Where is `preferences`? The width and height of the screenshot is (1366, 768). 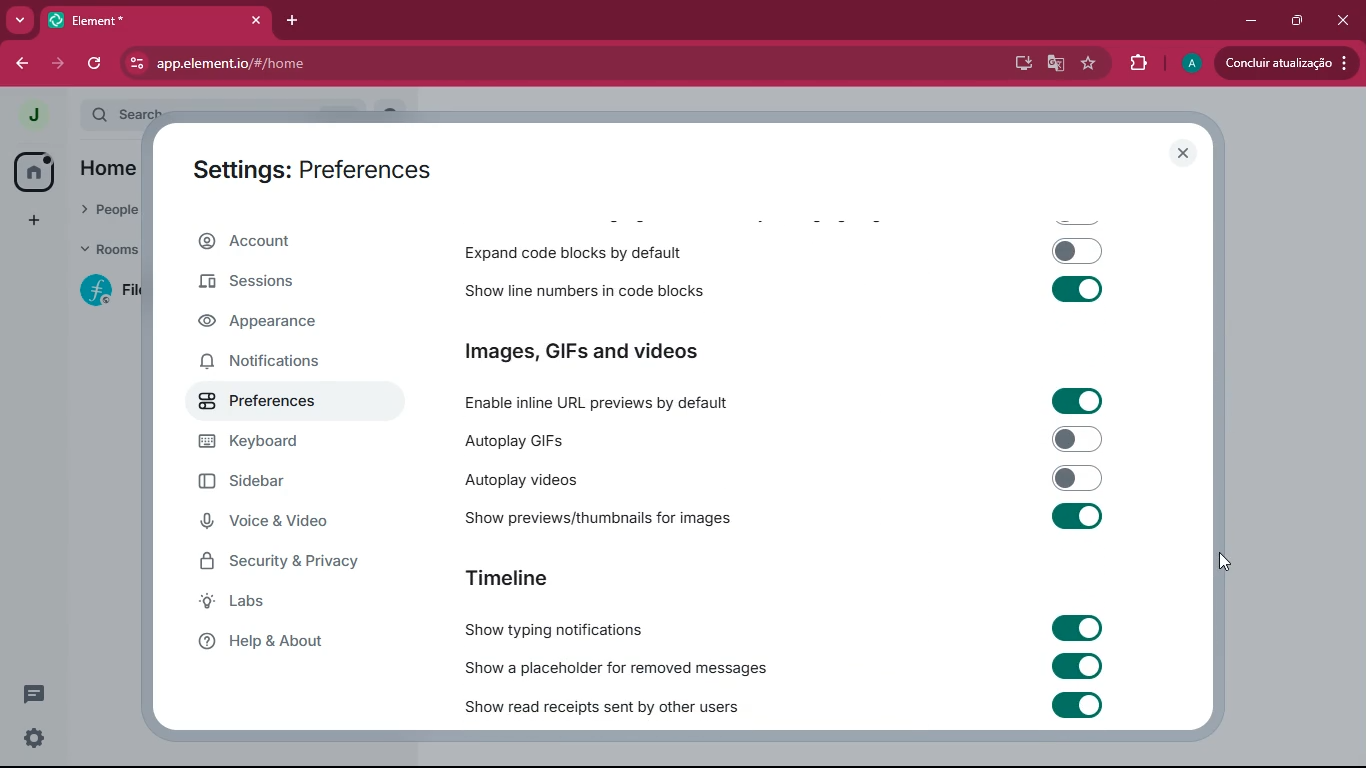
preferences is located at coordinates (276, 403).